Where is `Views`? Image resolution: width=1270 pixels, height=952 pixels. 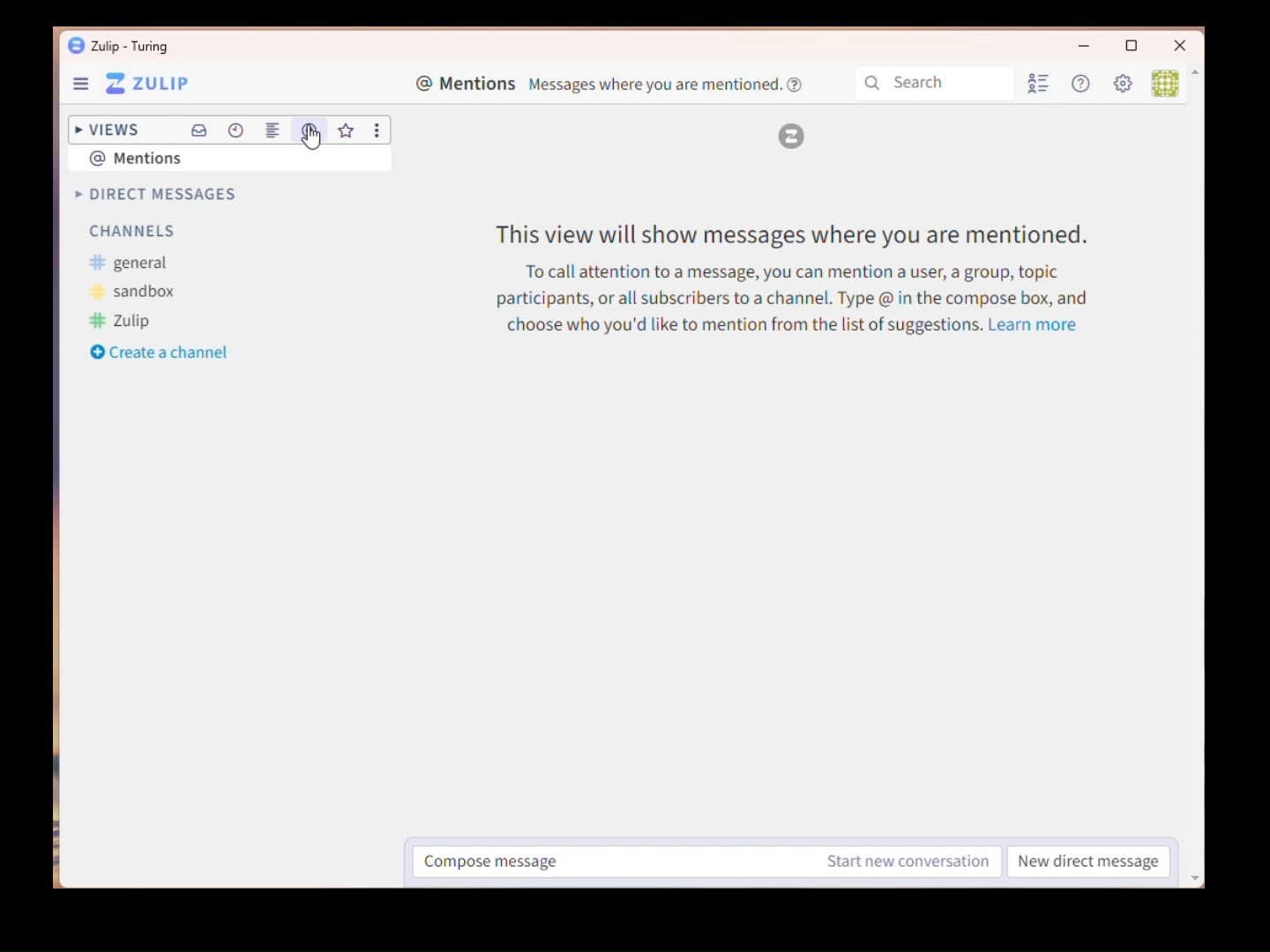 Views is located at coordinates (104, 126).